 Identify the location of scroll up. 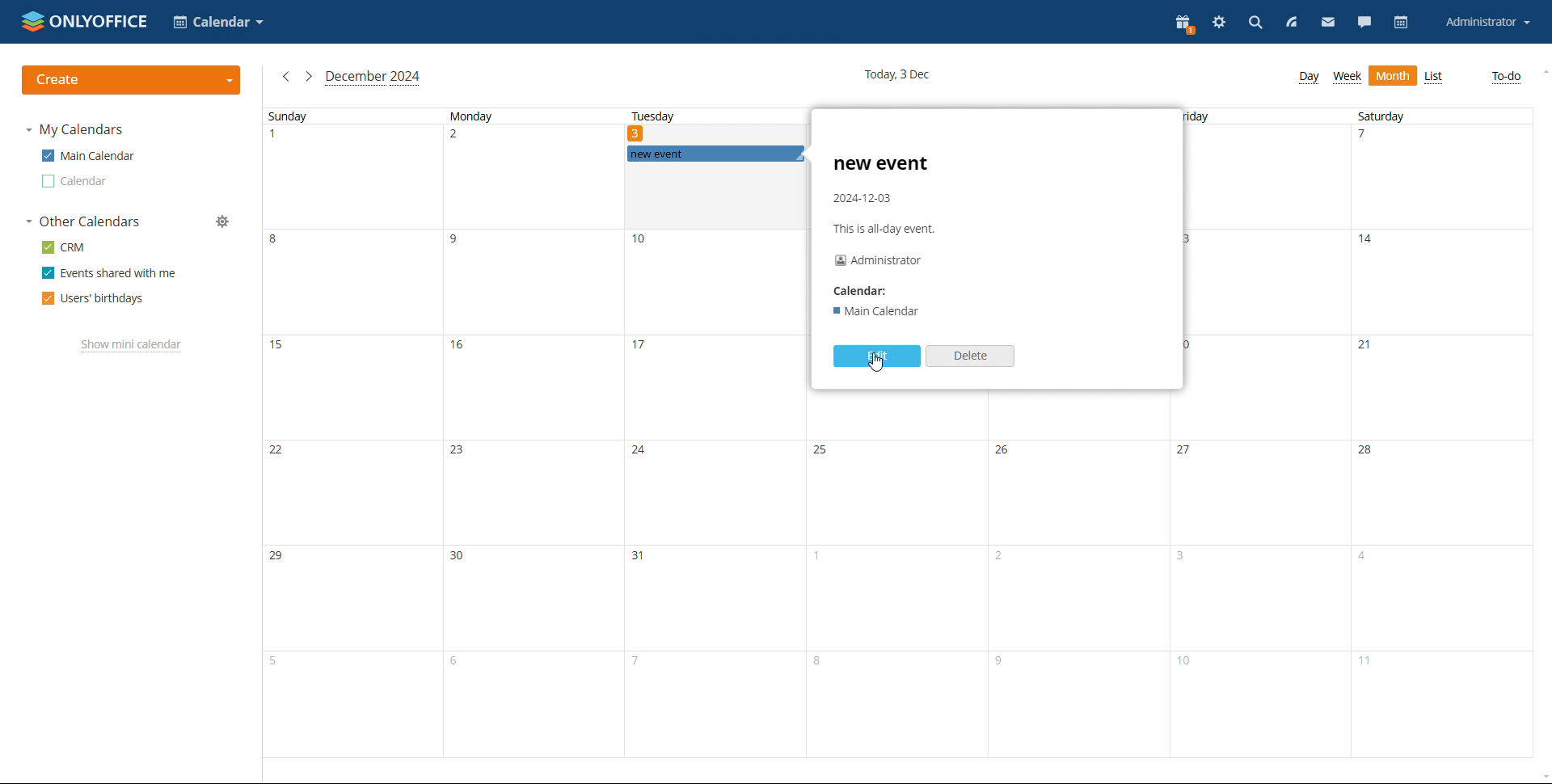
(1542, 72).